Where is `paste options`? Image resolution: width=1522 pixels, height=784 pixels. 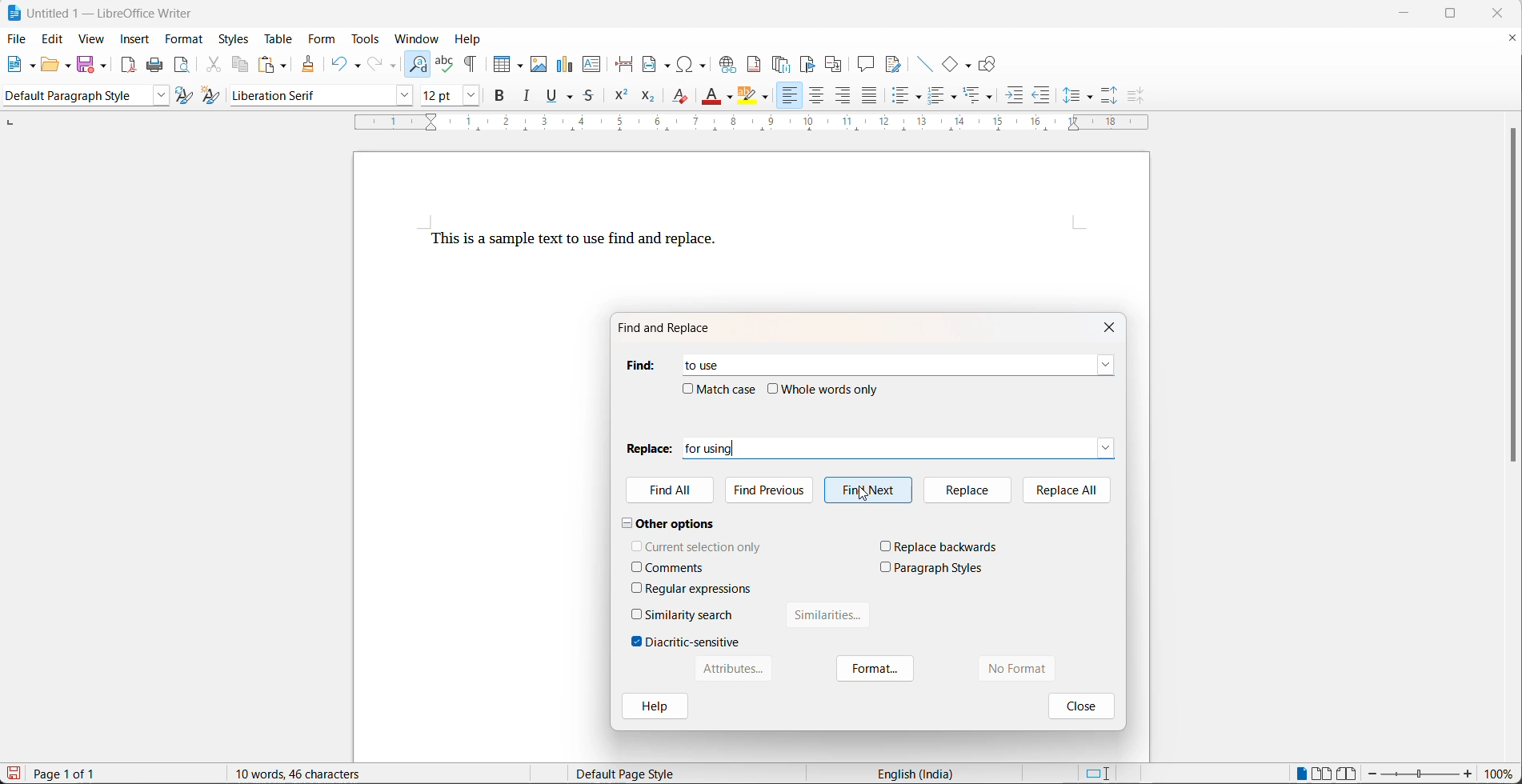
paste options is located at coordinates (285, 64).